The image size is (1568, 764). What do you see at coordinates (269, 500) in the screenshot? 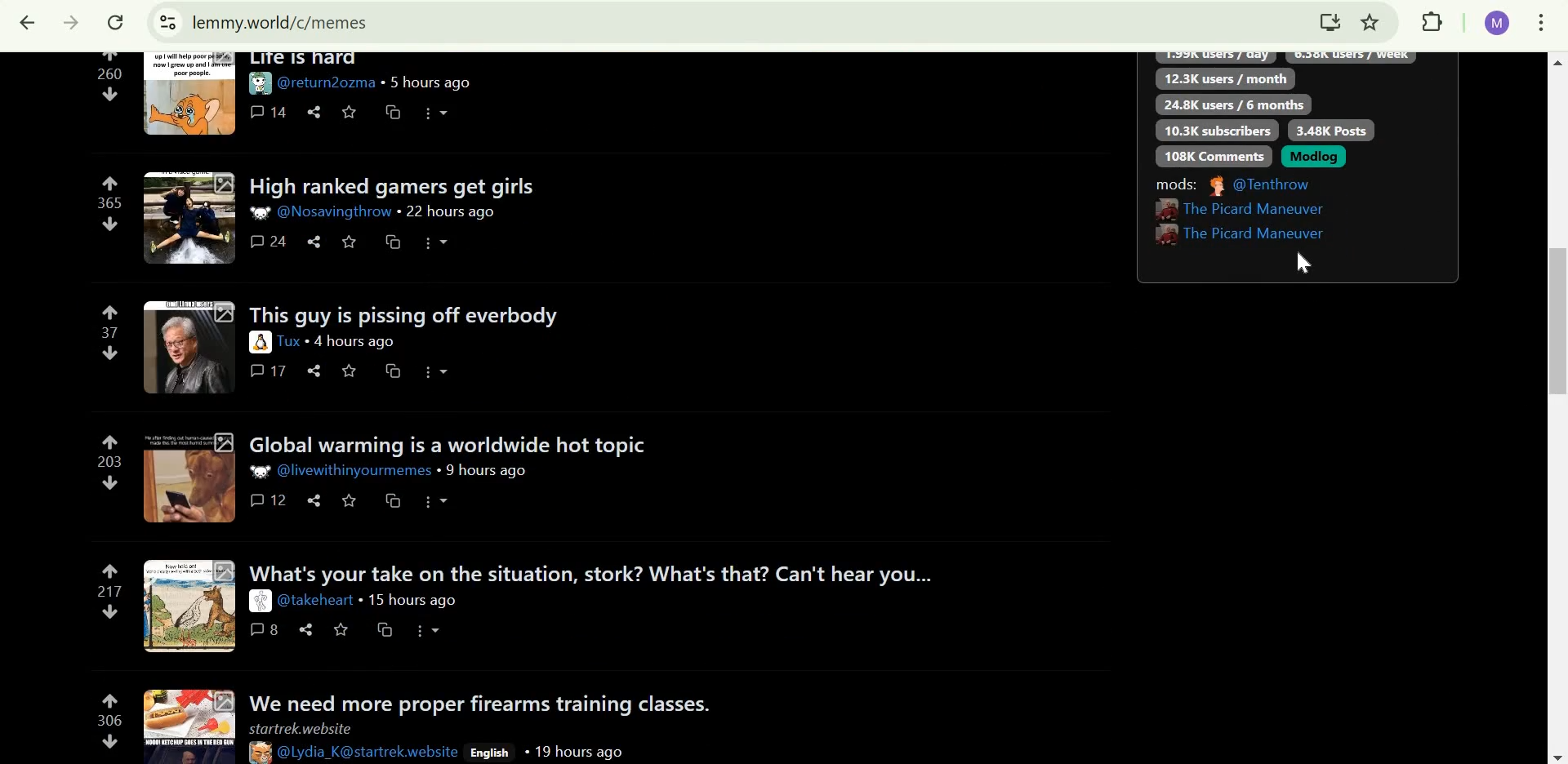
I see `12 comments` at bounding box center [269, 500].